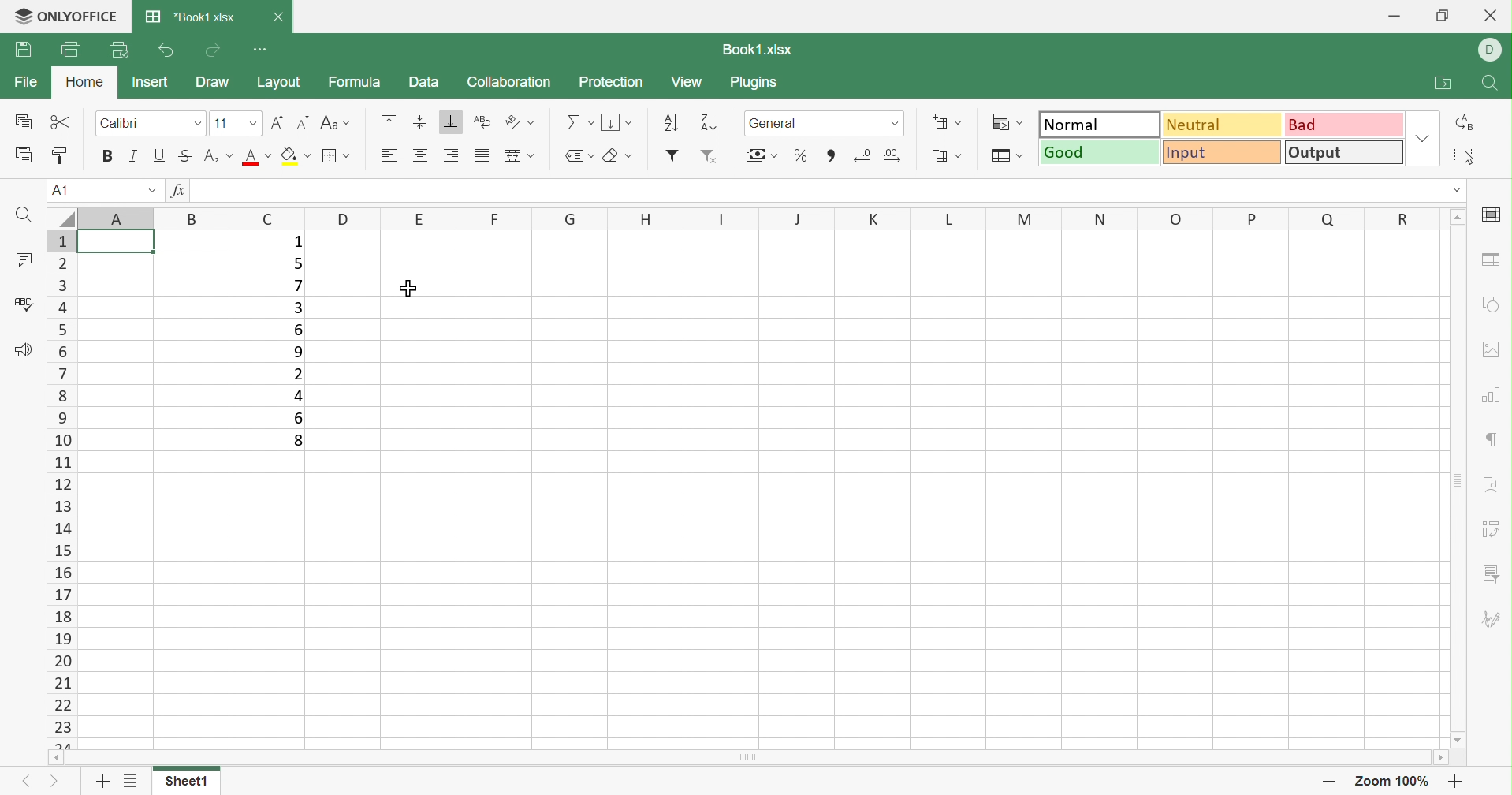 The image size is (1512, 795). What do you see at coordinates (1492, 258) in the screenshot?
I see `Table settings` at bounding box center [1492, 258].